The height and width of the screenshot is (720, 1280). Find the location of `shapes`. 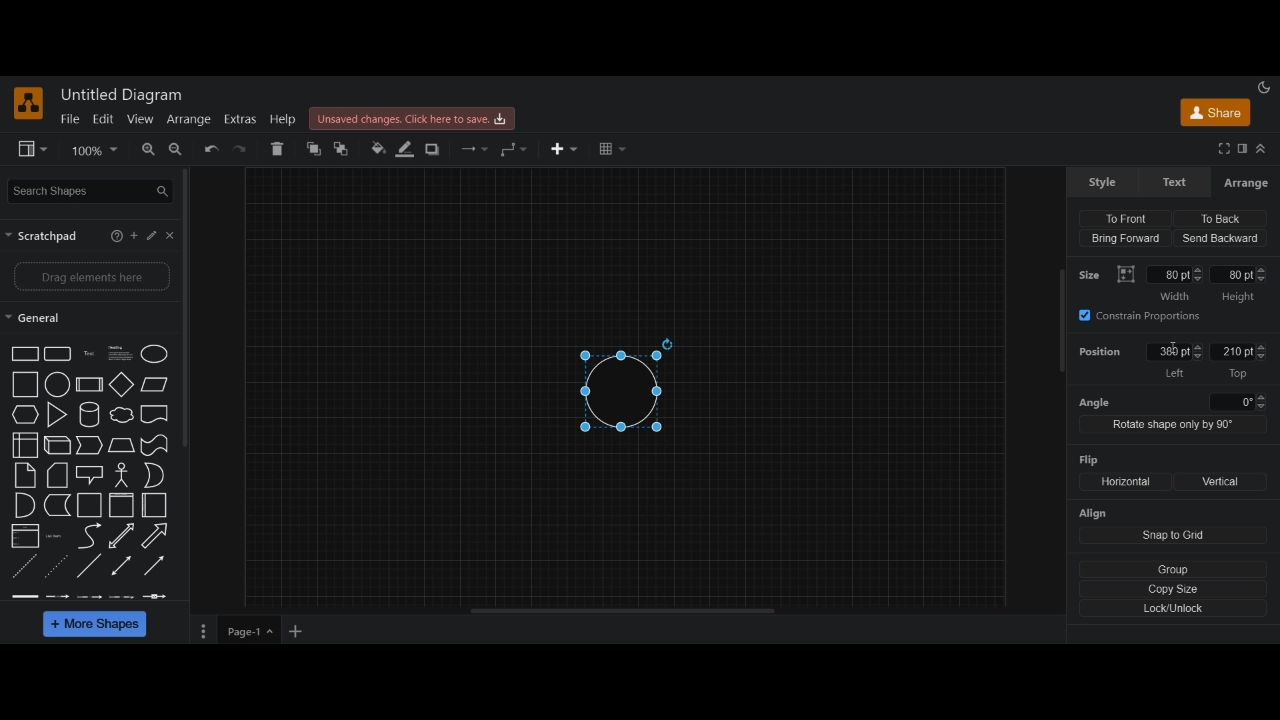

shapes is located at coordinates (25, 354).